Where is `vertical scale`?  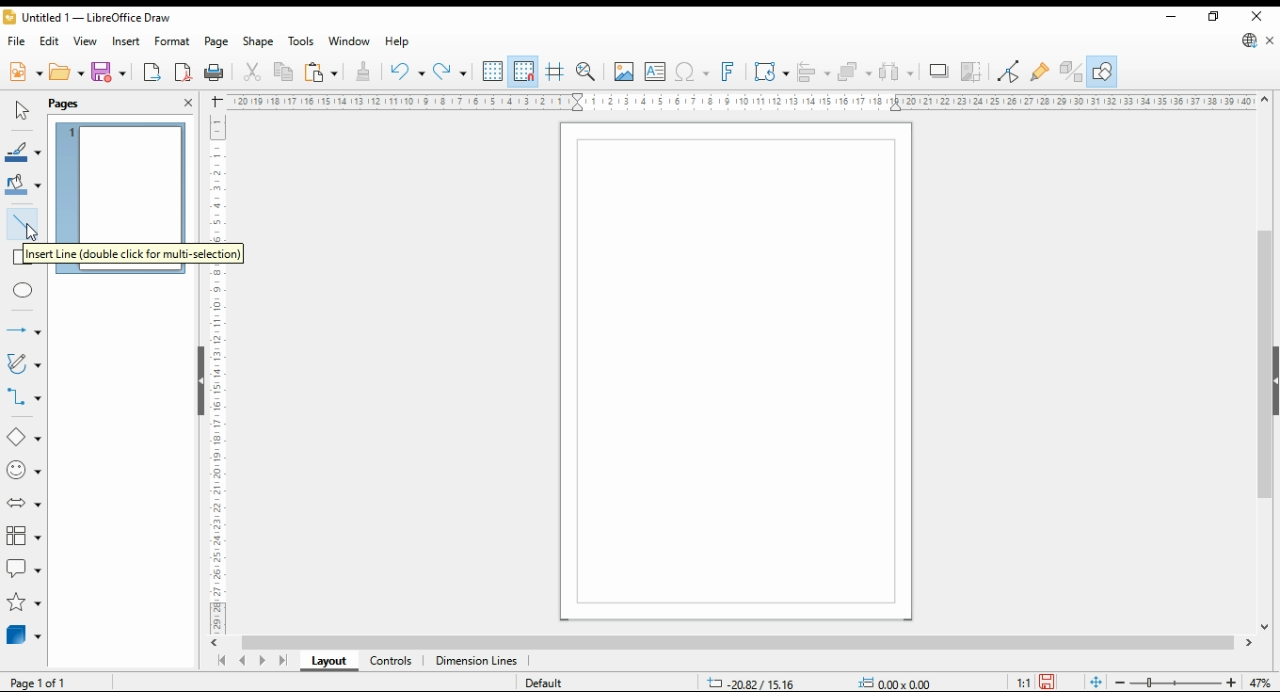
vertical scale is located at coordinates (220, 373).